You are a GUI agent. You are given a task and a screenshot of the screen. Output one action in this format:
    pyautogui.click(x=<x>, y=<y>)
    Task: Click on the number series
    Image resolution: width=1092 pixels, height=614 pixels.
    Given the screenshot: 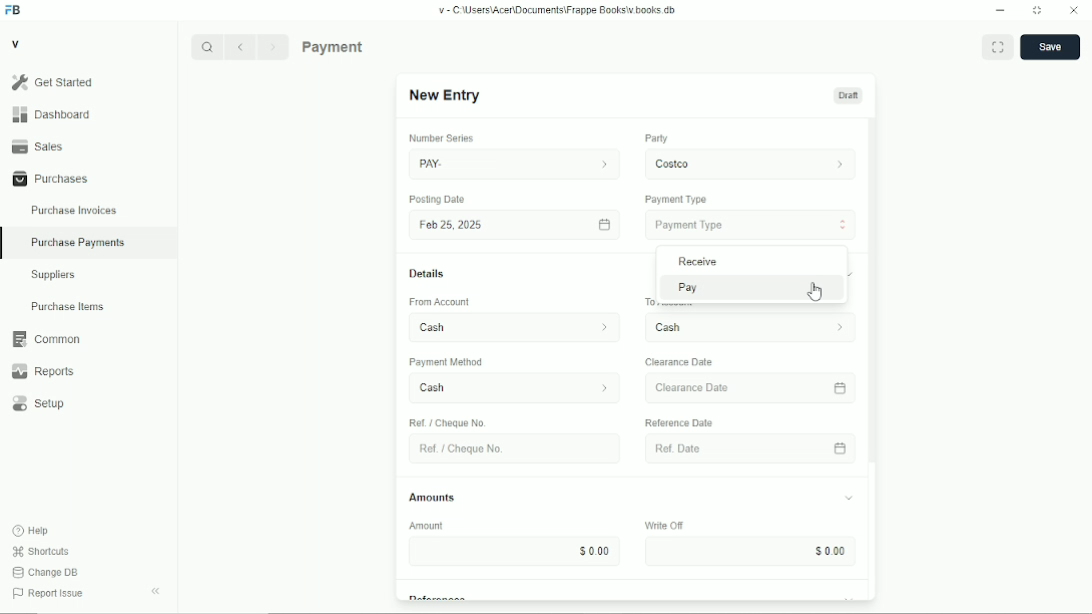 What is the action you would take?
    pyautogui.click(x=437, y=139)
    